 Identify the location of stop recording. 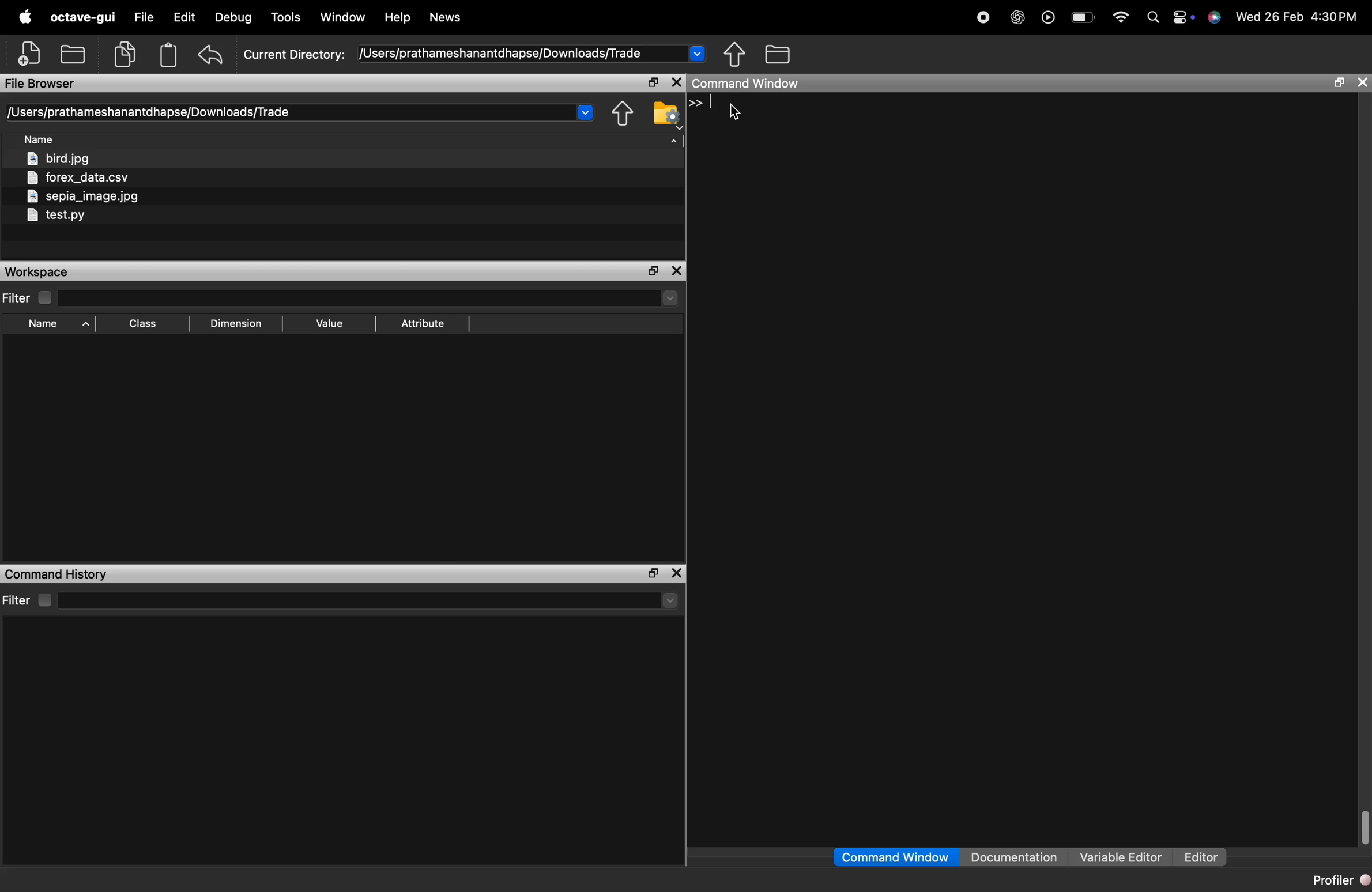
(984, 17).